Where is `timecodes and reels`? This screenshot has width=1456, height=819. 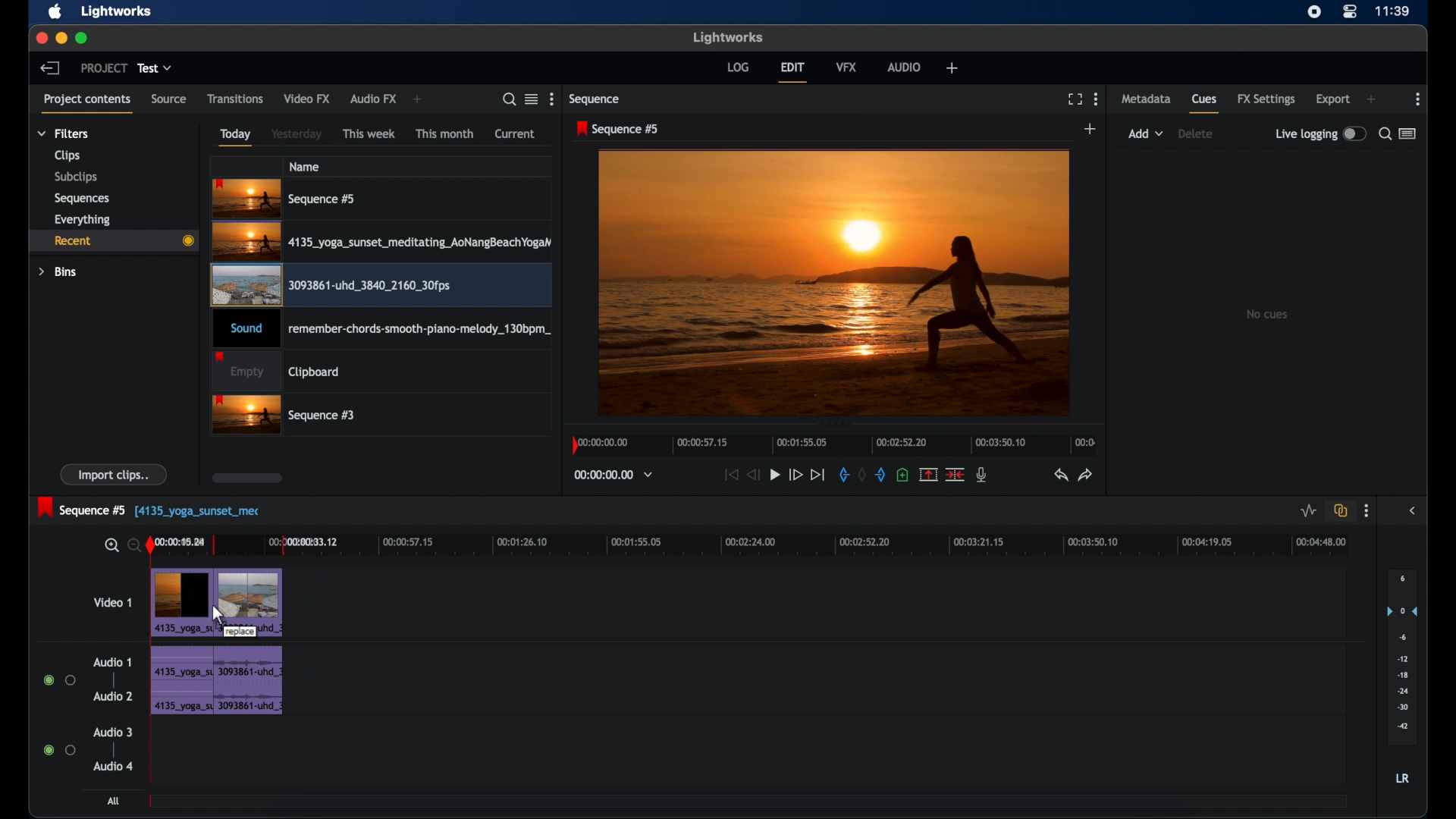
timecodes and reels is located at coordinates (617, 474).